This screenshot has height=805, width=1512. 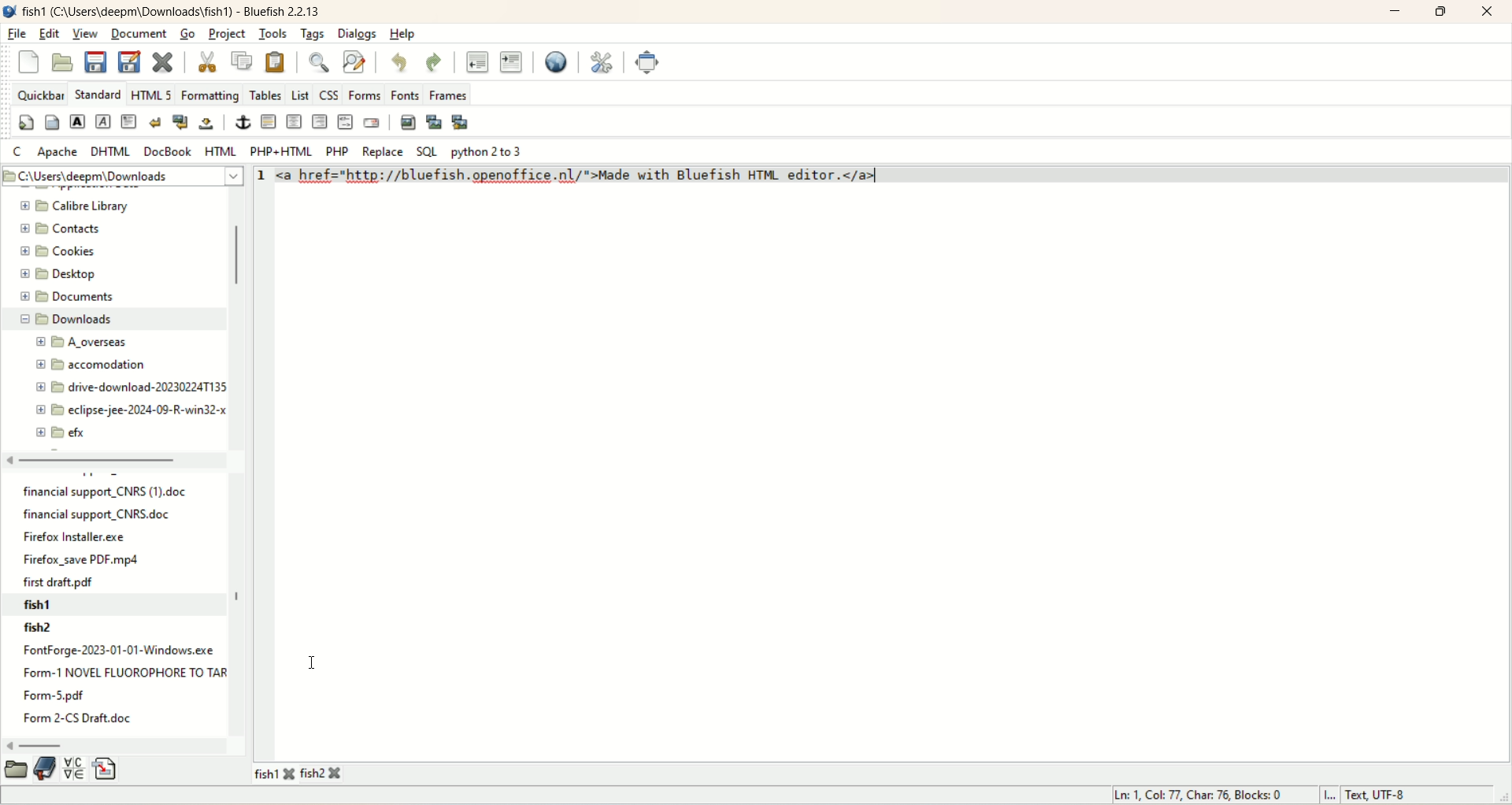 What do you see at coordinates (338, 150) in the screenshot?
I see `PHP` at bounding box center [338, 150].